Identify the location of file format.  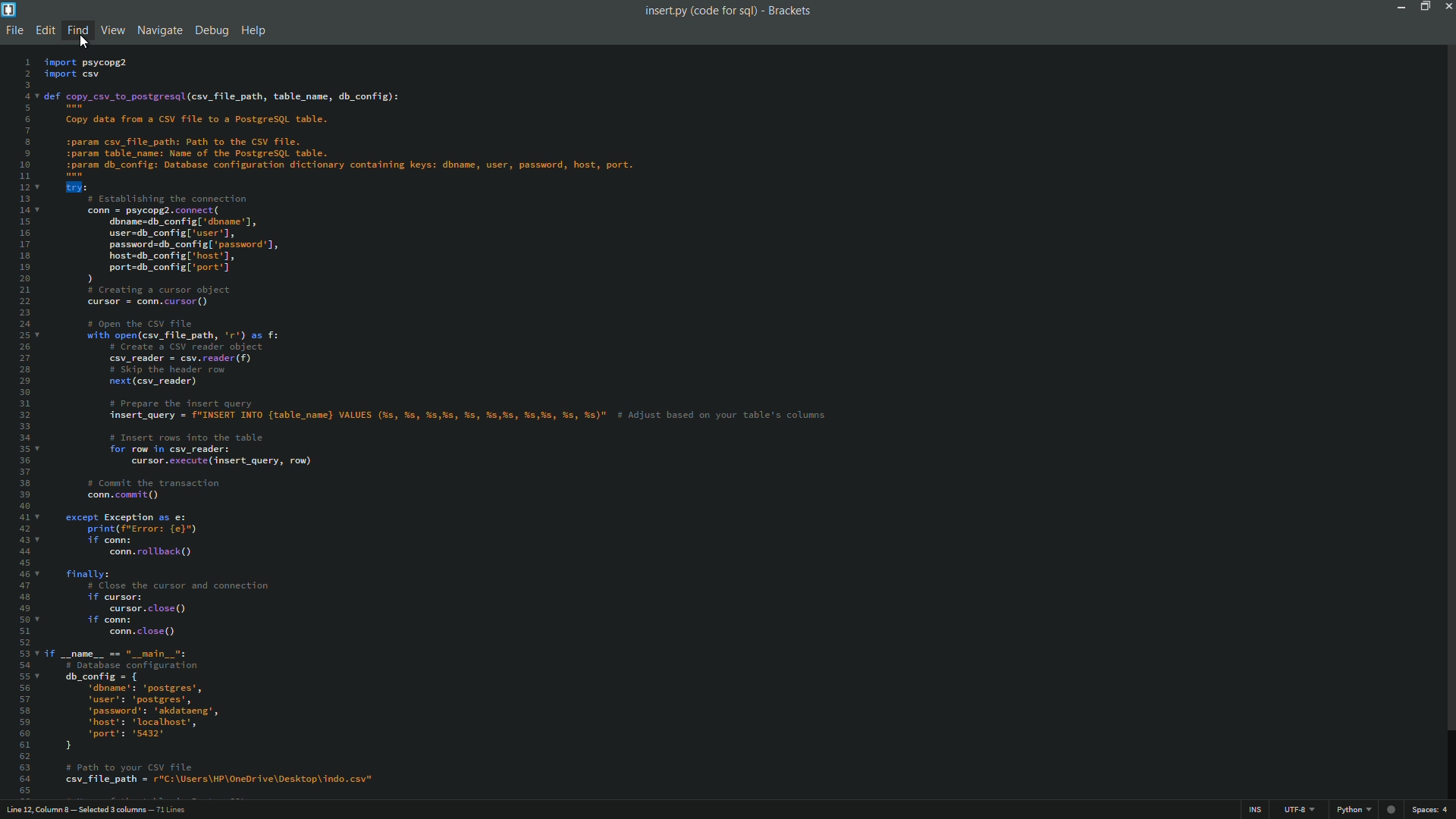
(1357, 811).